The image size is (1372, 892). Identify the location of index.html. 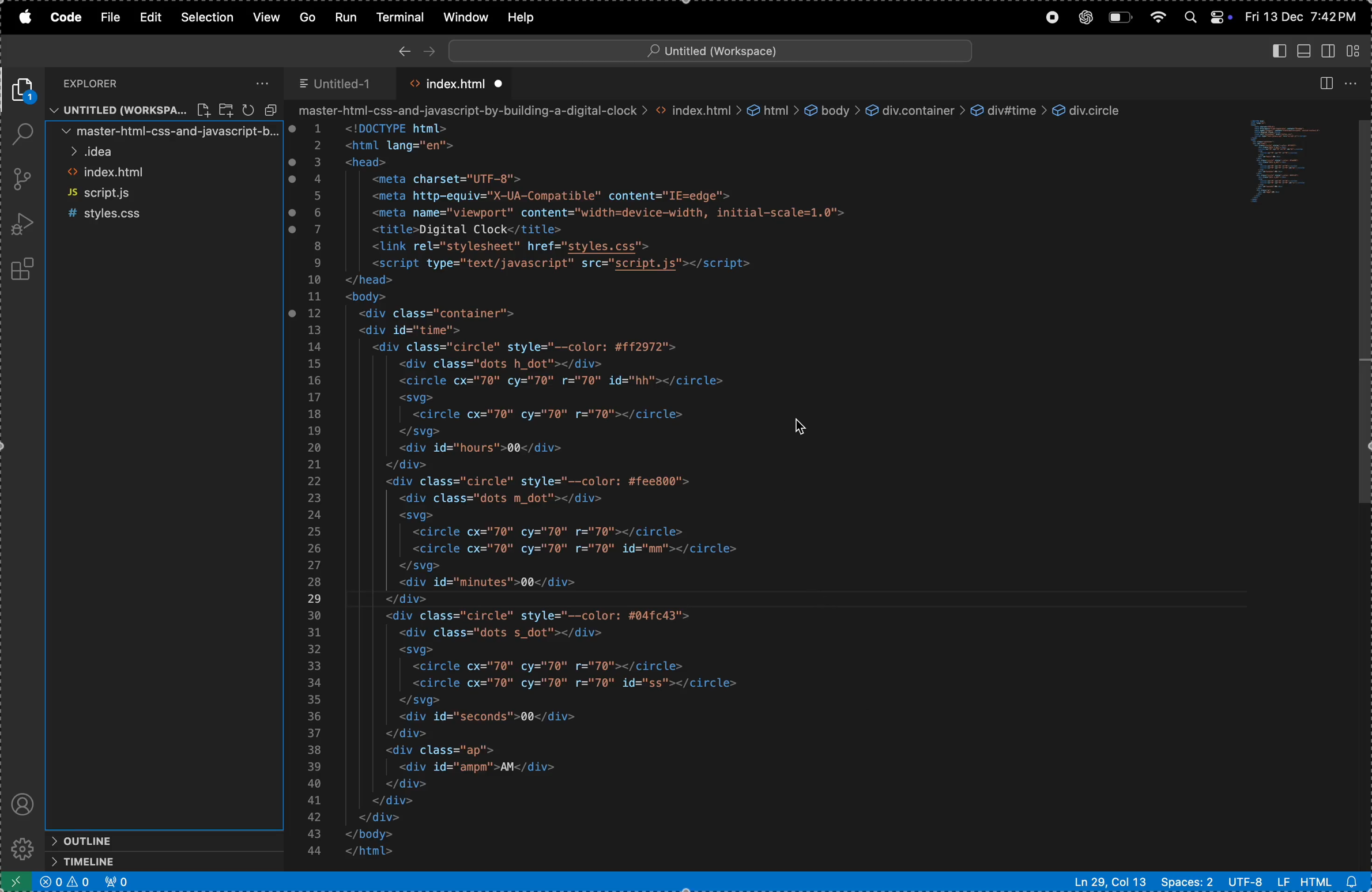
(455, 83).